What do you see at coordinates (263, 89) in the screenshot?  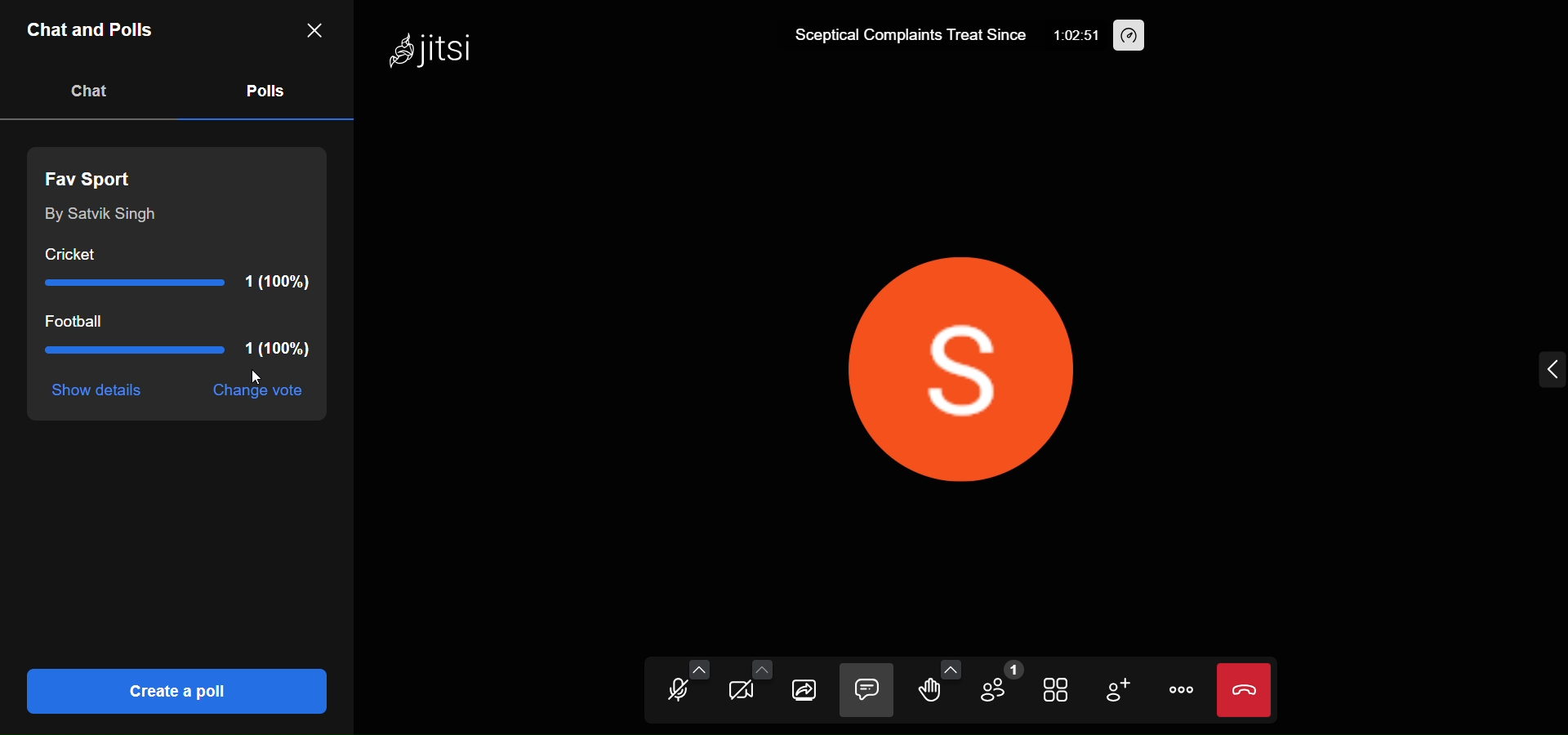 I see `polls` at bounding box center [263, 89].